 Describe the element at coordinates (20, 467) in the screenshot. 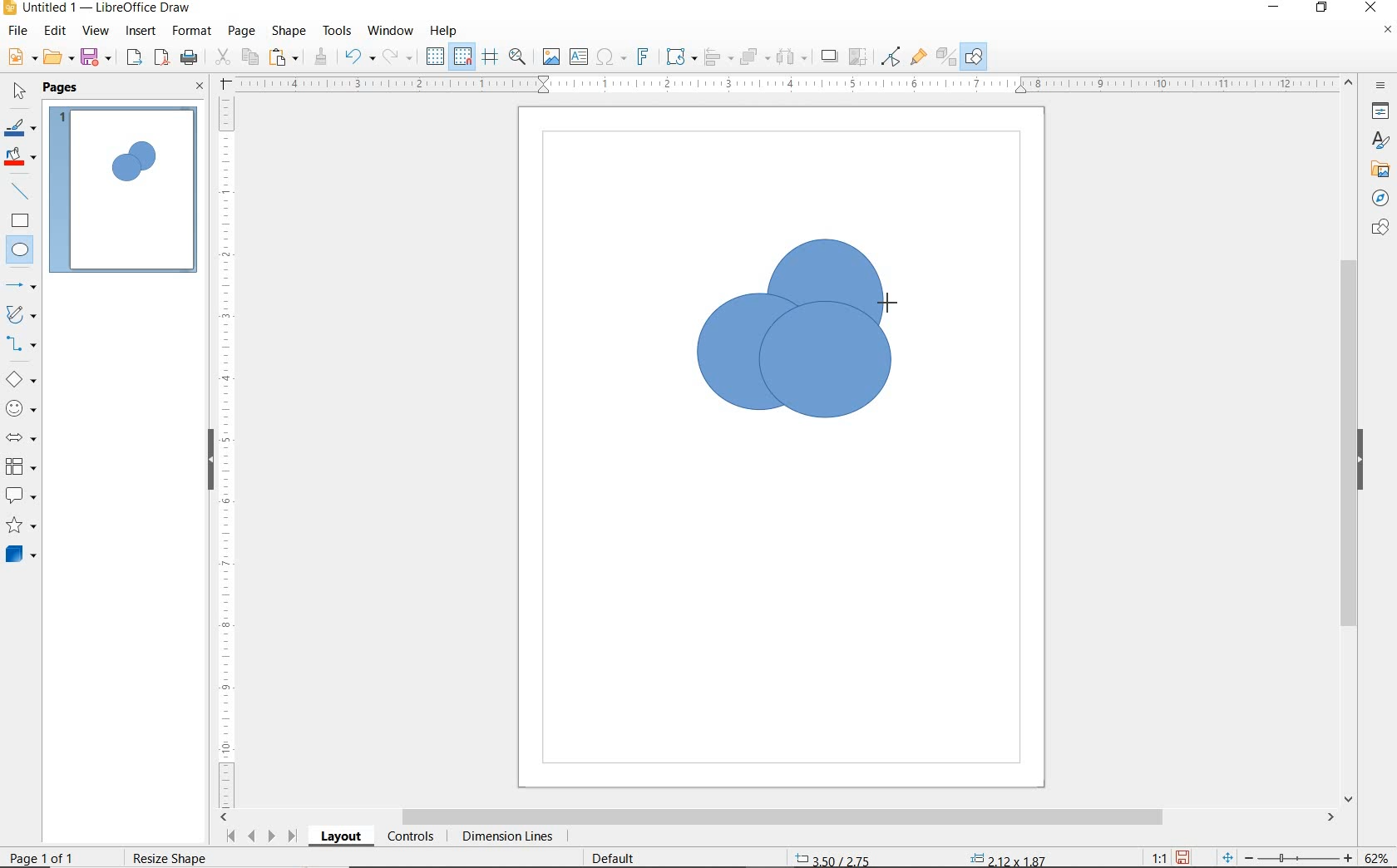

I see `FLOWCHART` at that location.